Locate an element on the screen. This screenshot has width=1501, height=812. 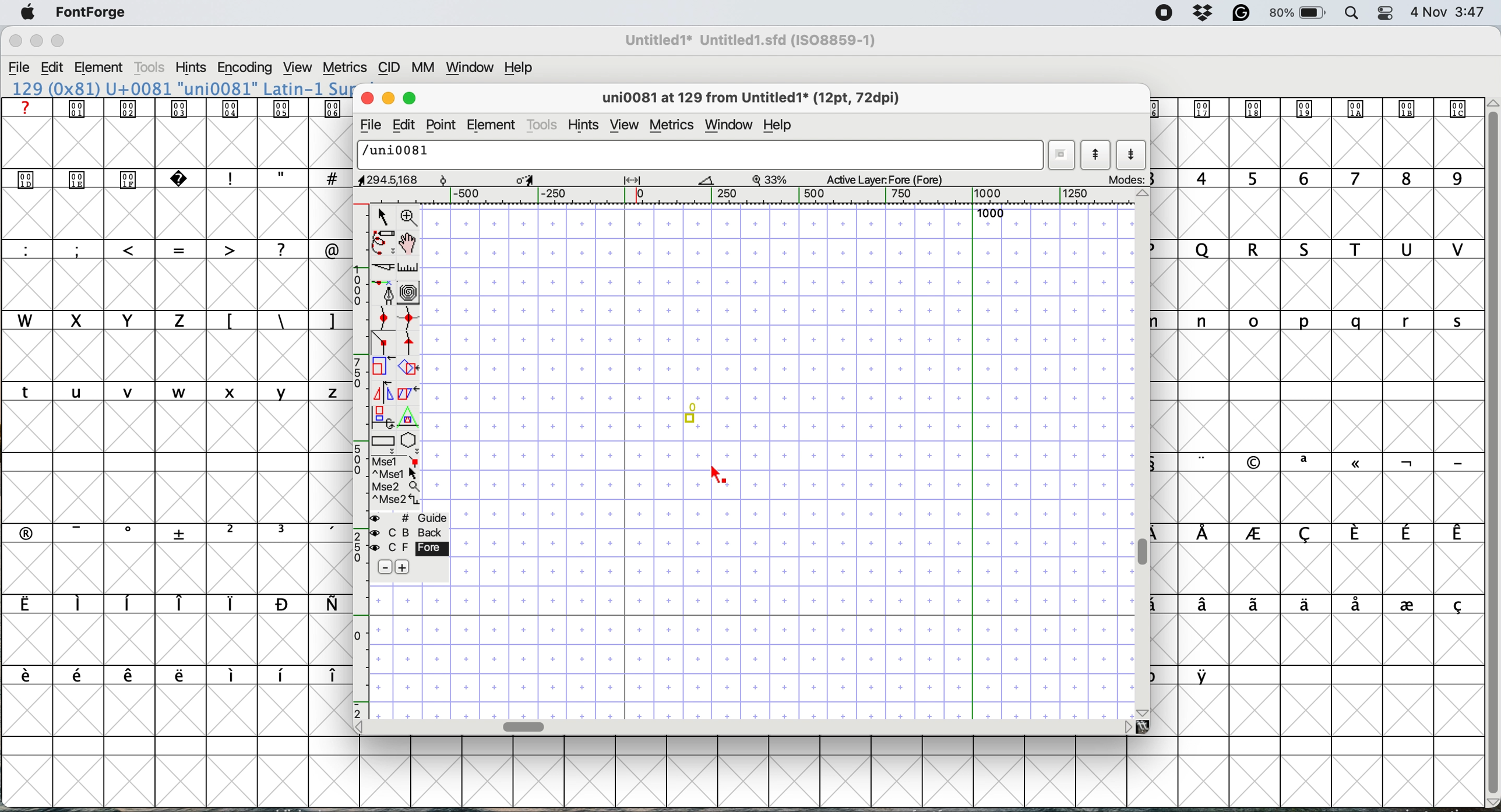
edit is located at coordinates (404, 126).